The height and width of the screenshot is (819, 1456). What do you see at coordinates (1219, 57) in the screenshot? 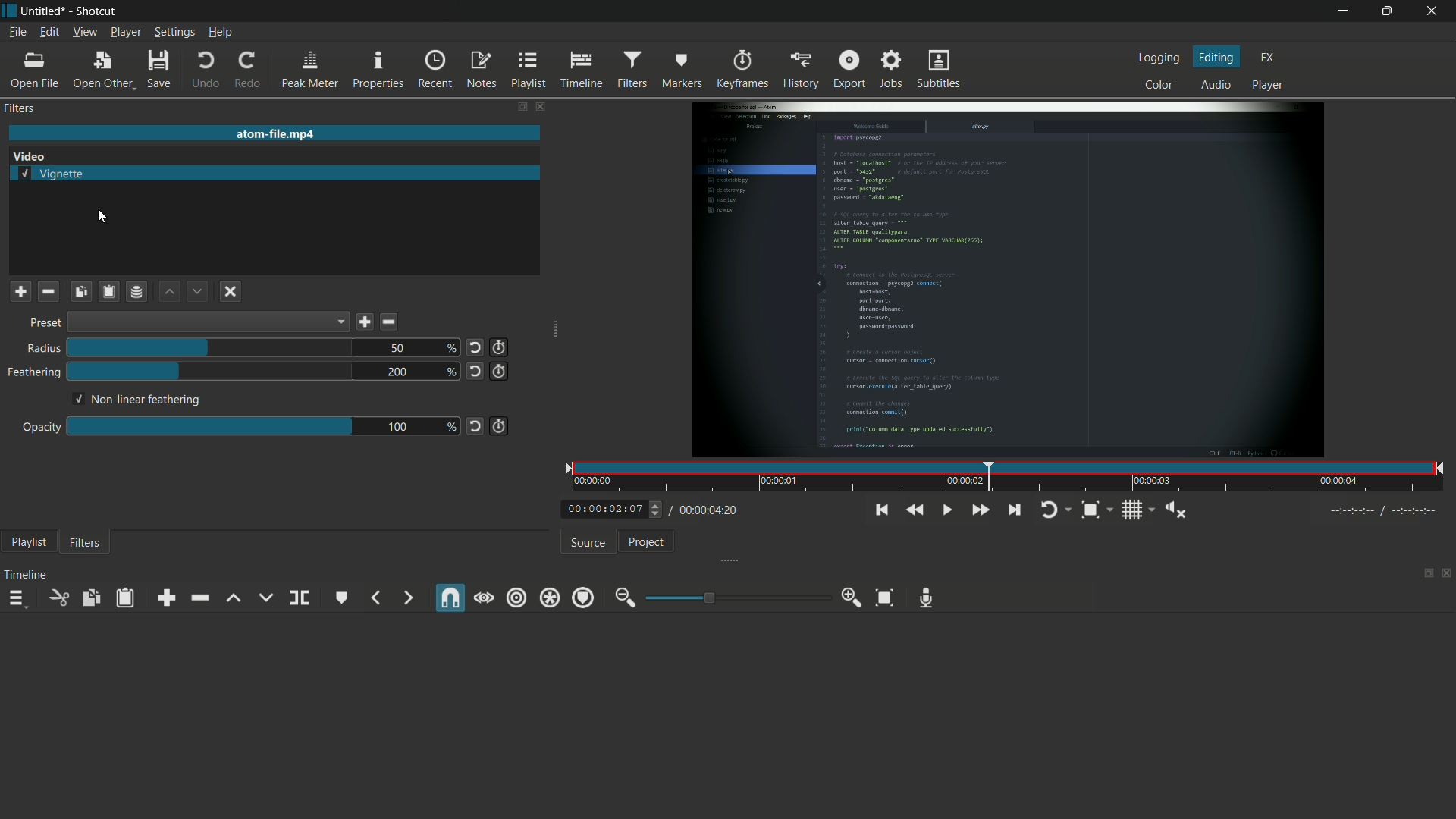
I see `editing` at bounding box center [1219, 57].